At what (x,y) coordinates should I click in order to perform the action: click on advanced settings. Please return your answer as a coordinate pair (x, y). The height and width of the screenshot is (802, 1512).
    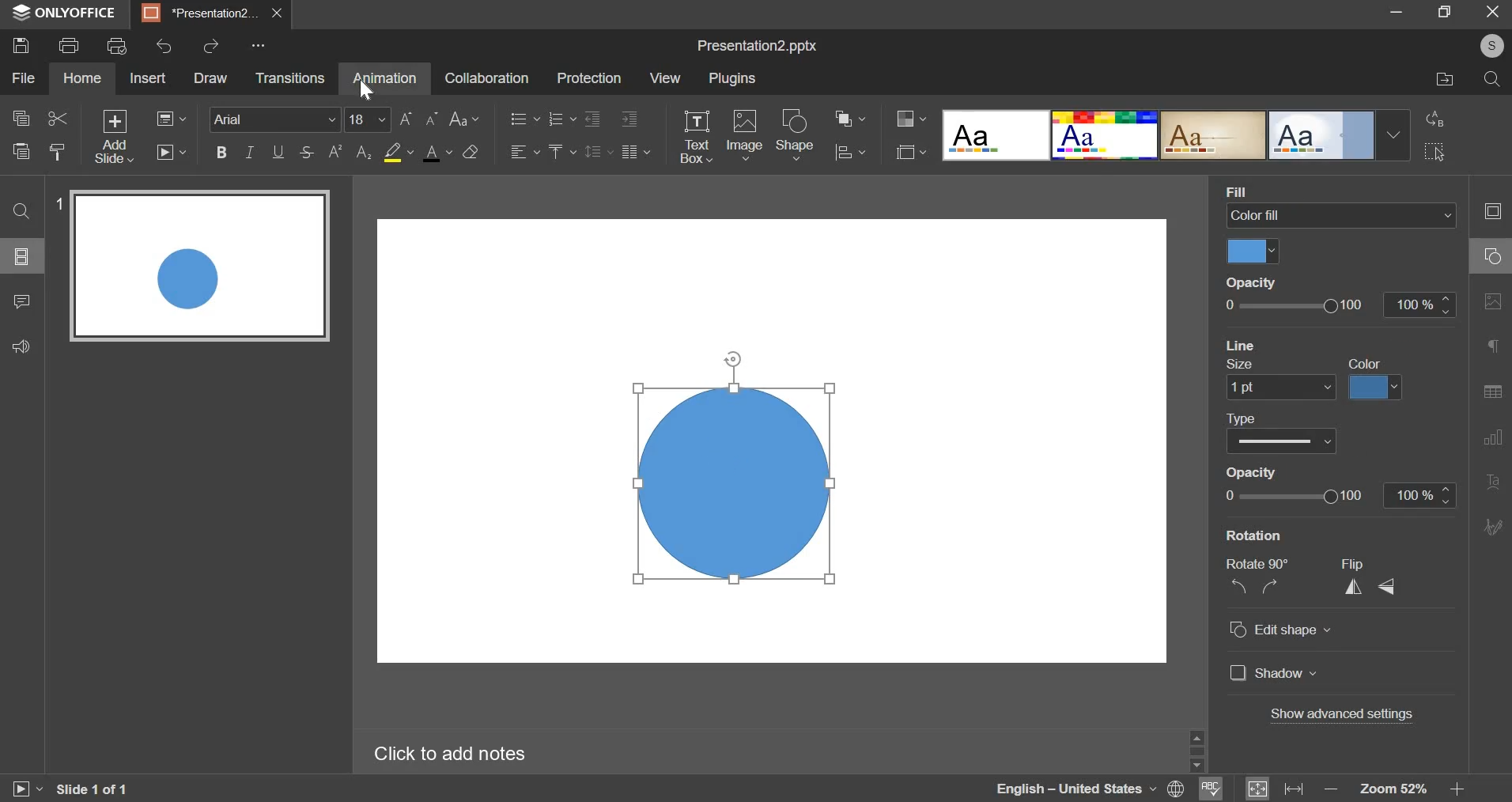
    Looking at the image, I should click on (1342, 714).